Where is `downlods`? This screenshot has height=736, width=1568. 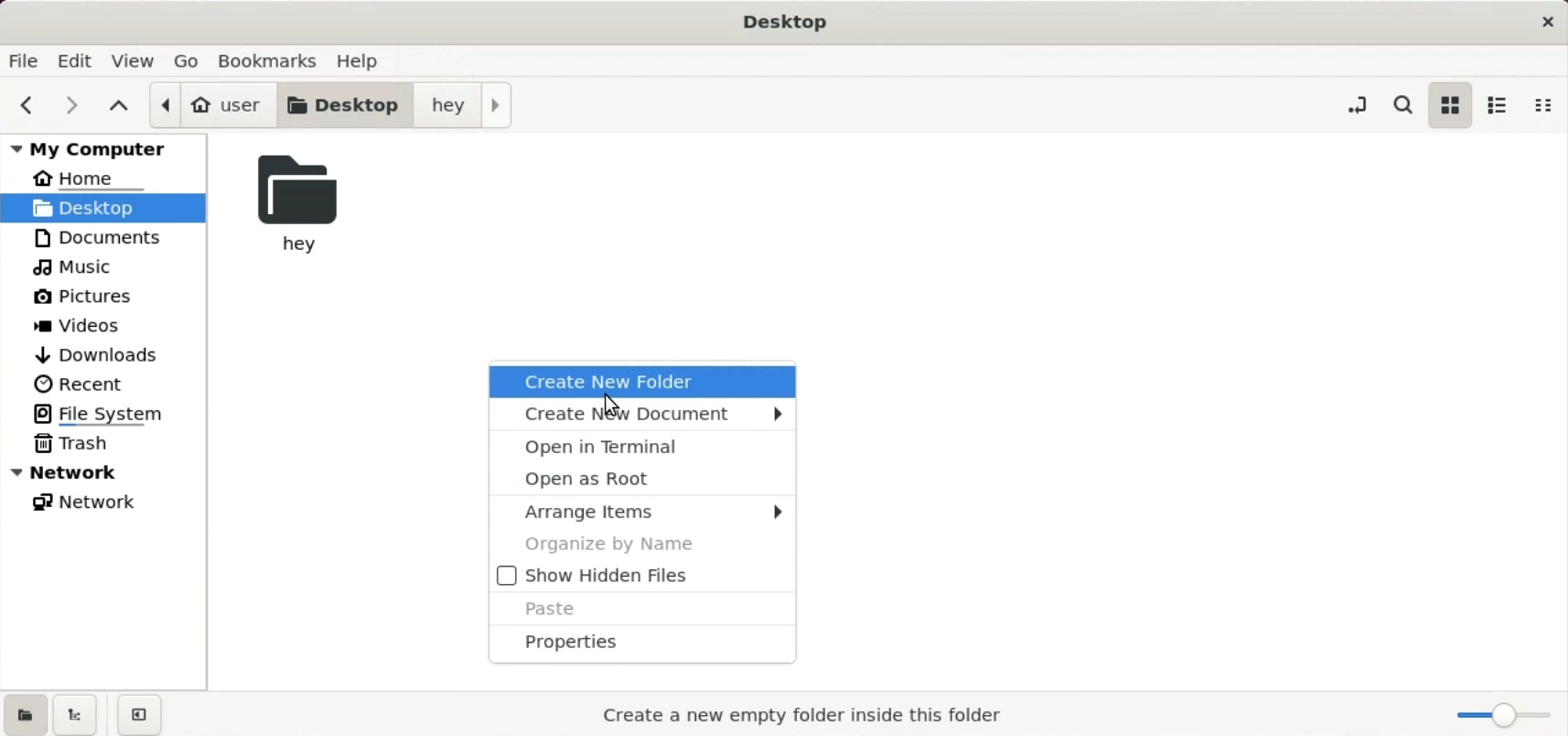 downlods is located at coordinates (107, 354).